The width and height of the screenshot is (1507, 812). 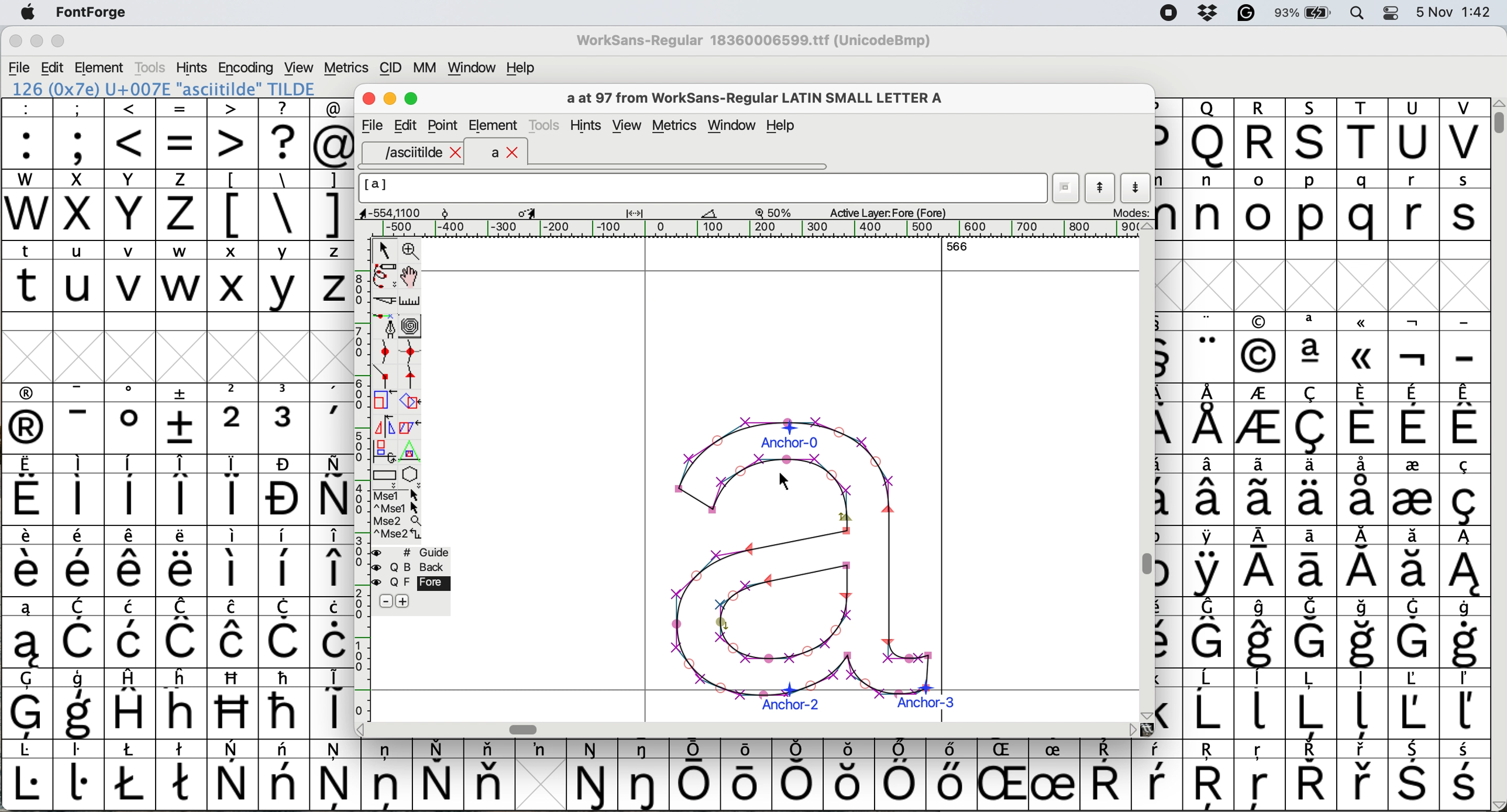 What do you see at coordinates (1260, 134) in the screenshot?
I see `R` at bounding box center [1260, 134].